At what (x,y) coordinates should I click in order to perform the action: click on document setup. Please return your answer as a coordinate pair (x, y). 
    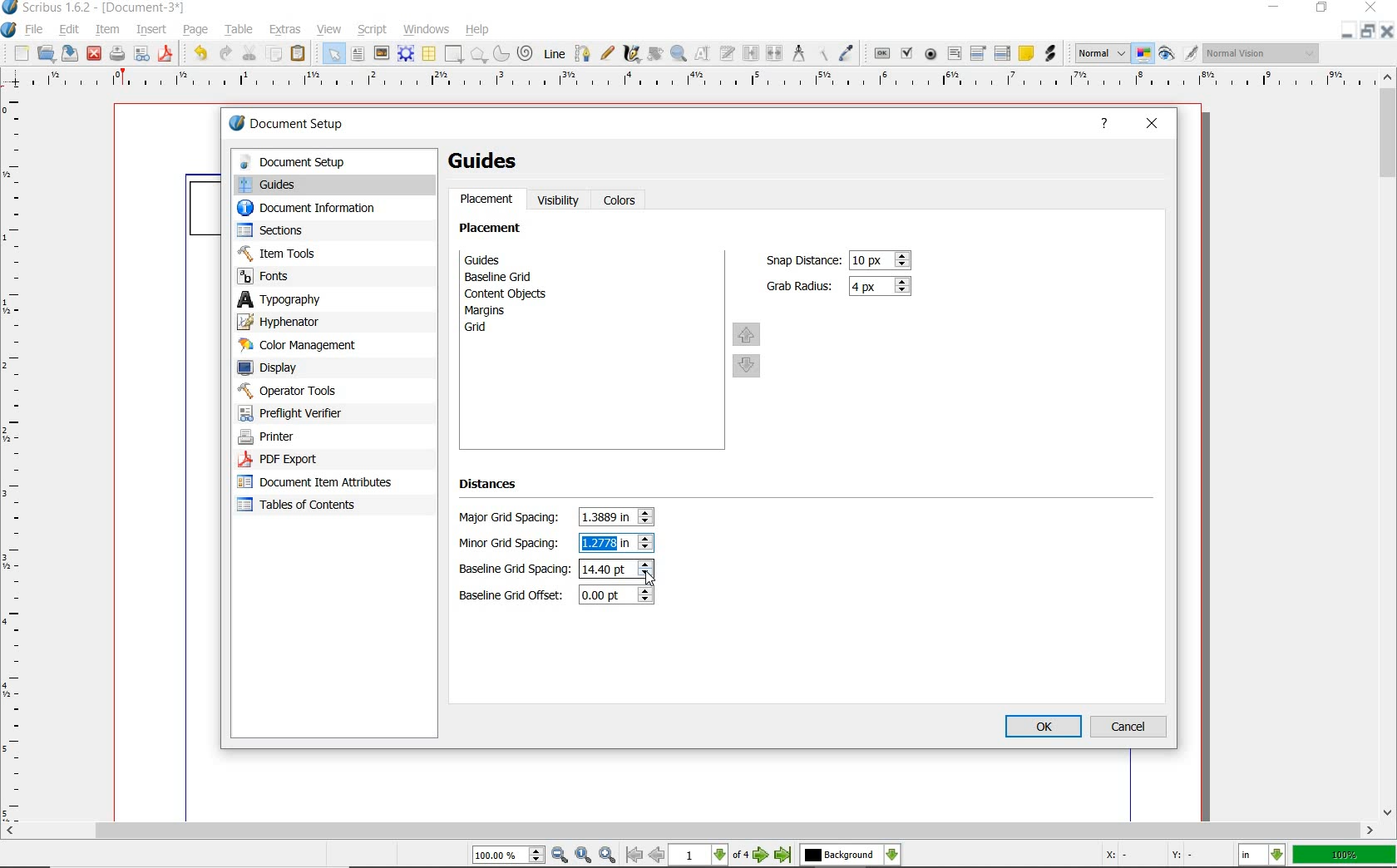
    Looking at the image, I should click on (332, 162).